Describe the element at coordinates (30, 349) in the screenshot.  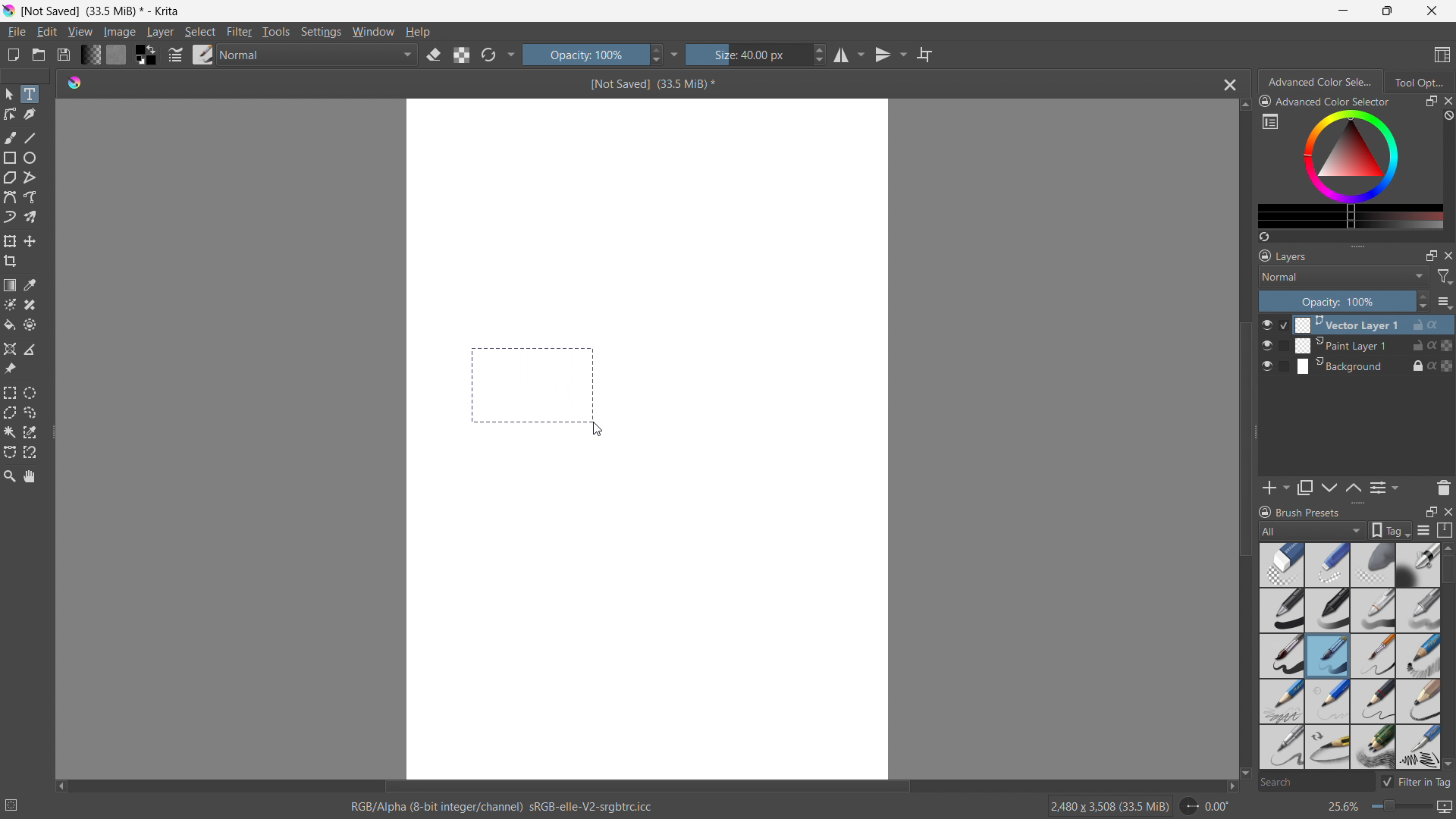
I see `measure the distance between two points` at that location.